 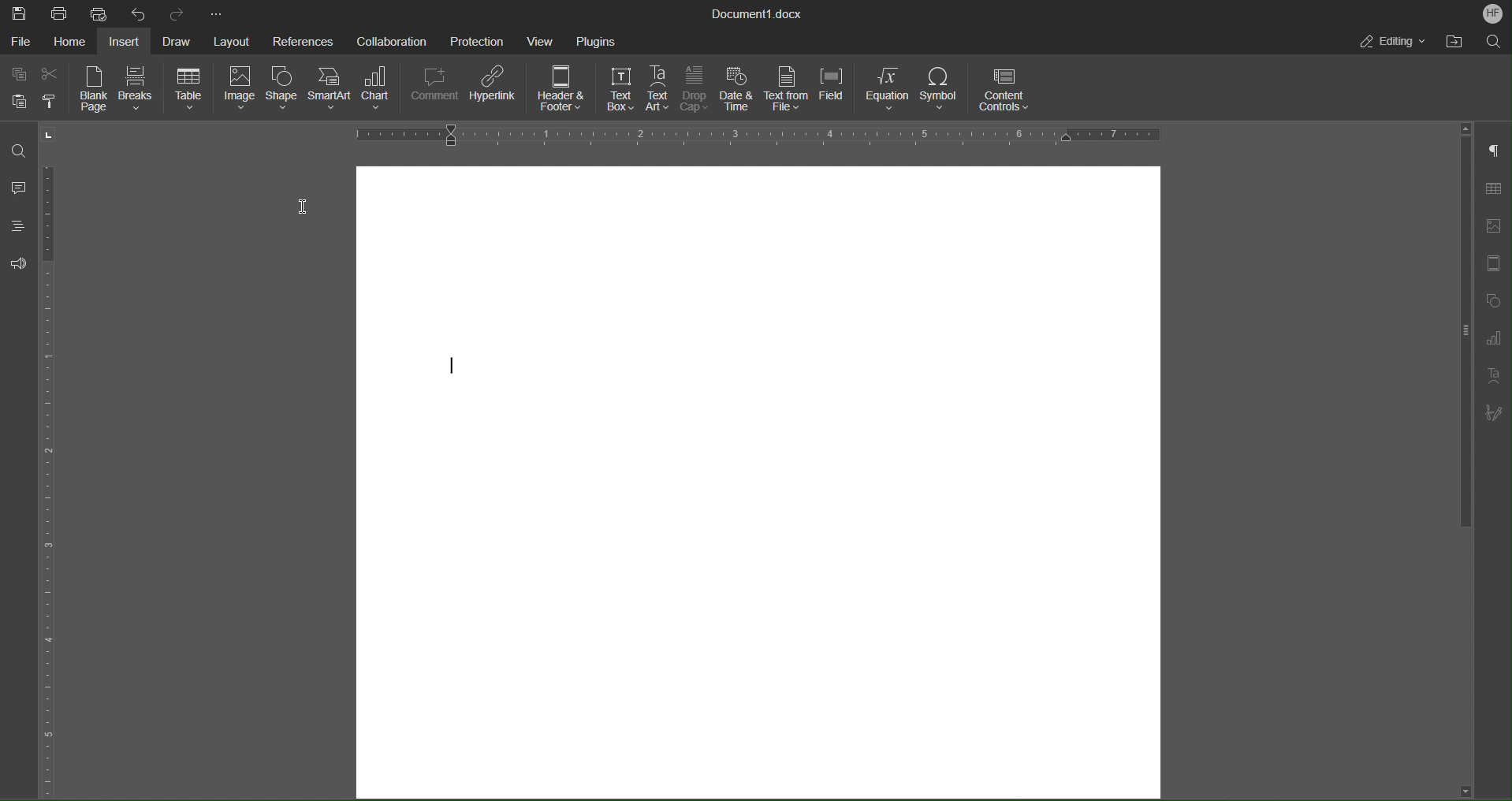 What do you see at coordinates (99, 13) in the screenshot?
I see `Quick Print` at bounding box center [99, 13].